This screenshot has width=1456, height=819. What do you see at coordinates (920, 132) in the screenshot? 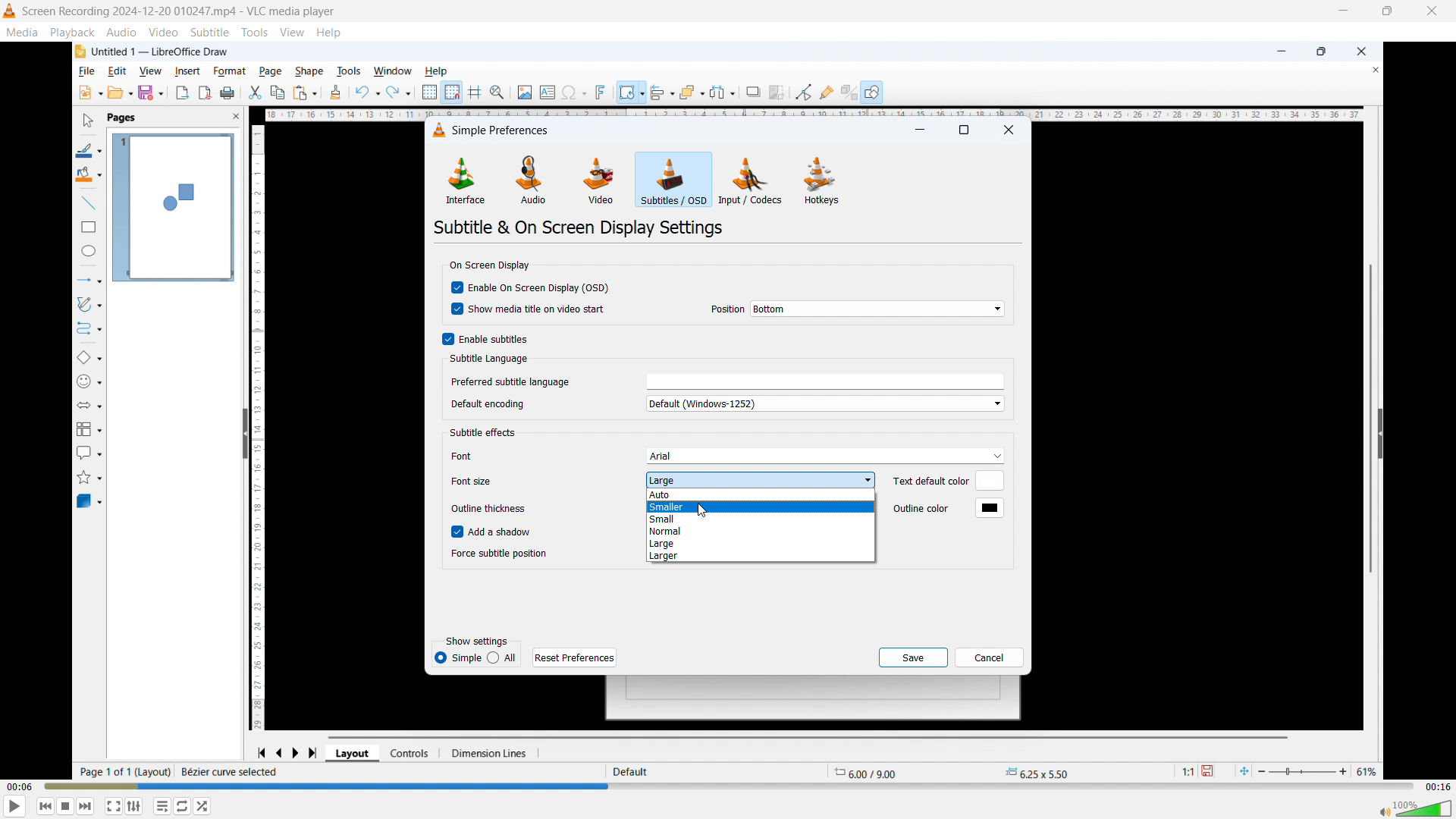
I see `minimise ` at bounding box center [920, 132].